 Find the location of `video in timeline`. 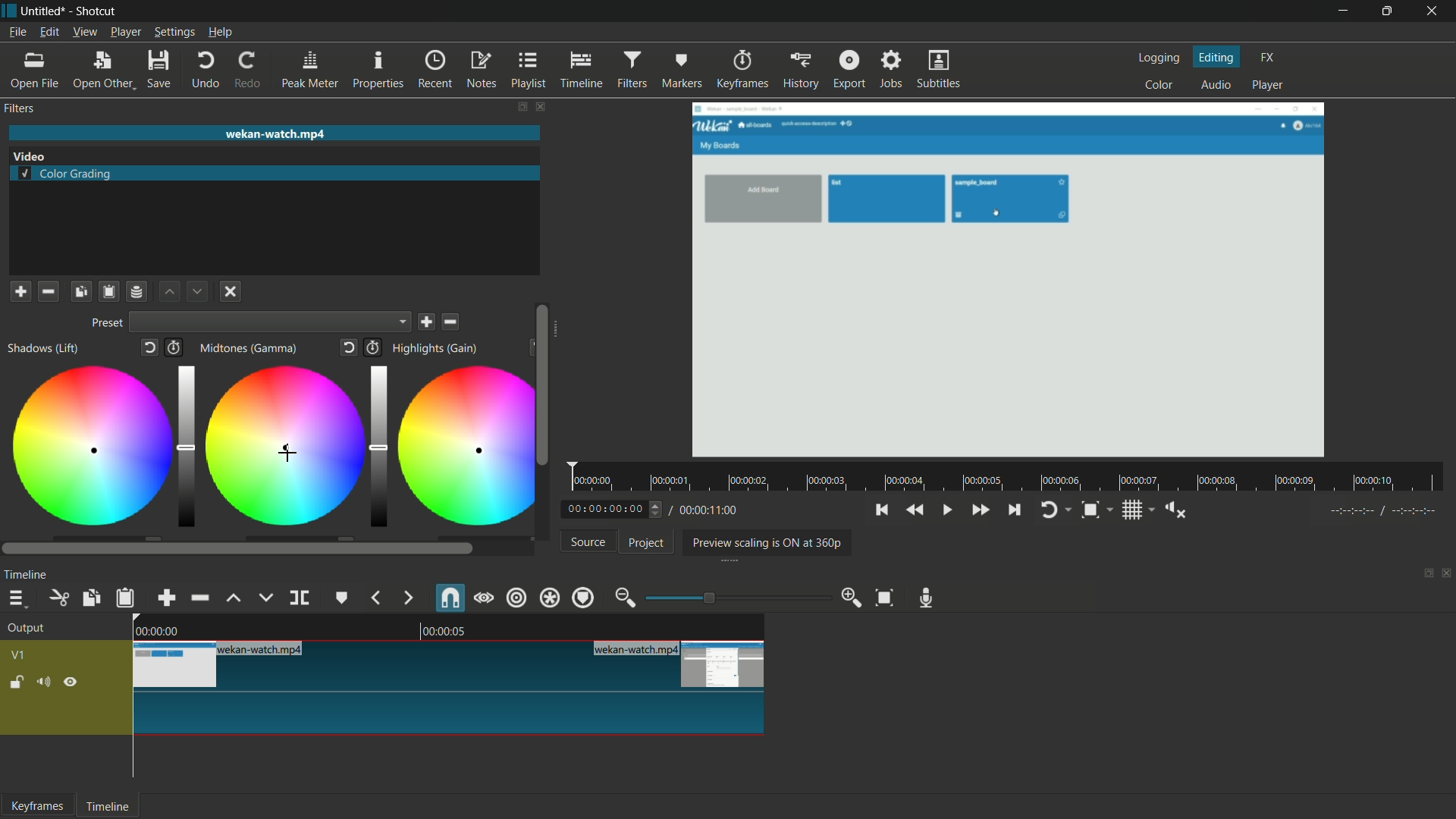

video in timeline is located at coordinates (450, 687).